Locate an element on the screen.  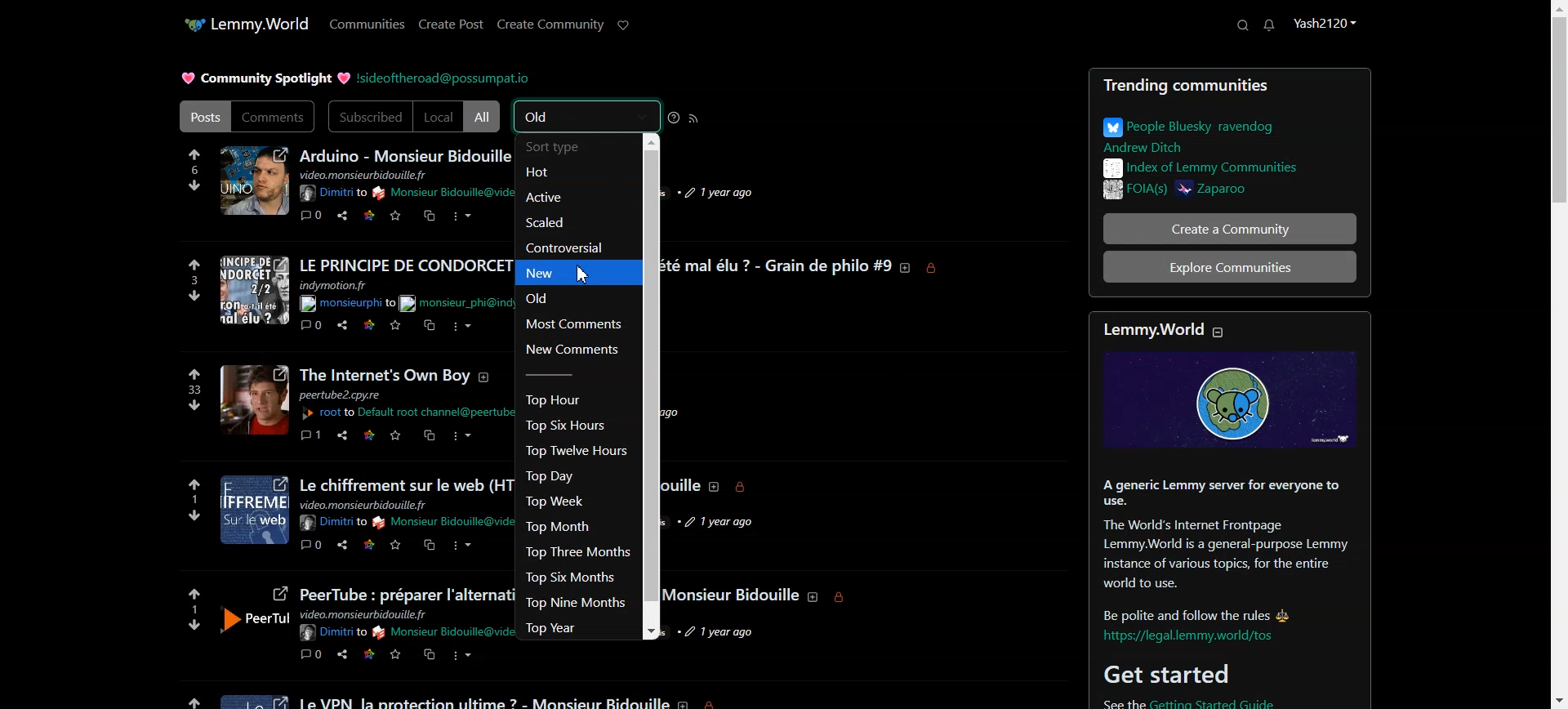
 is located at coordinates (255, 613).